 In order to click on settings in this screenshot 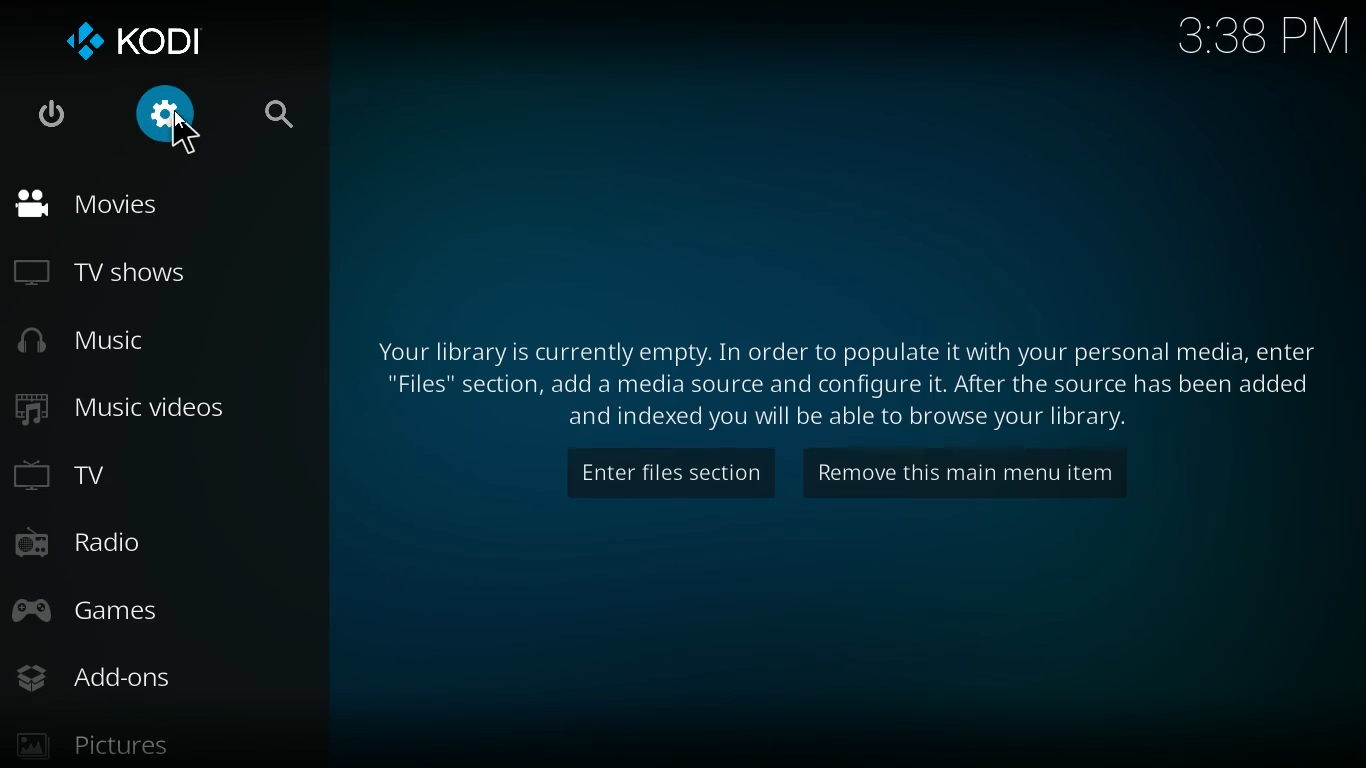, I will do `click(173, 116)`.